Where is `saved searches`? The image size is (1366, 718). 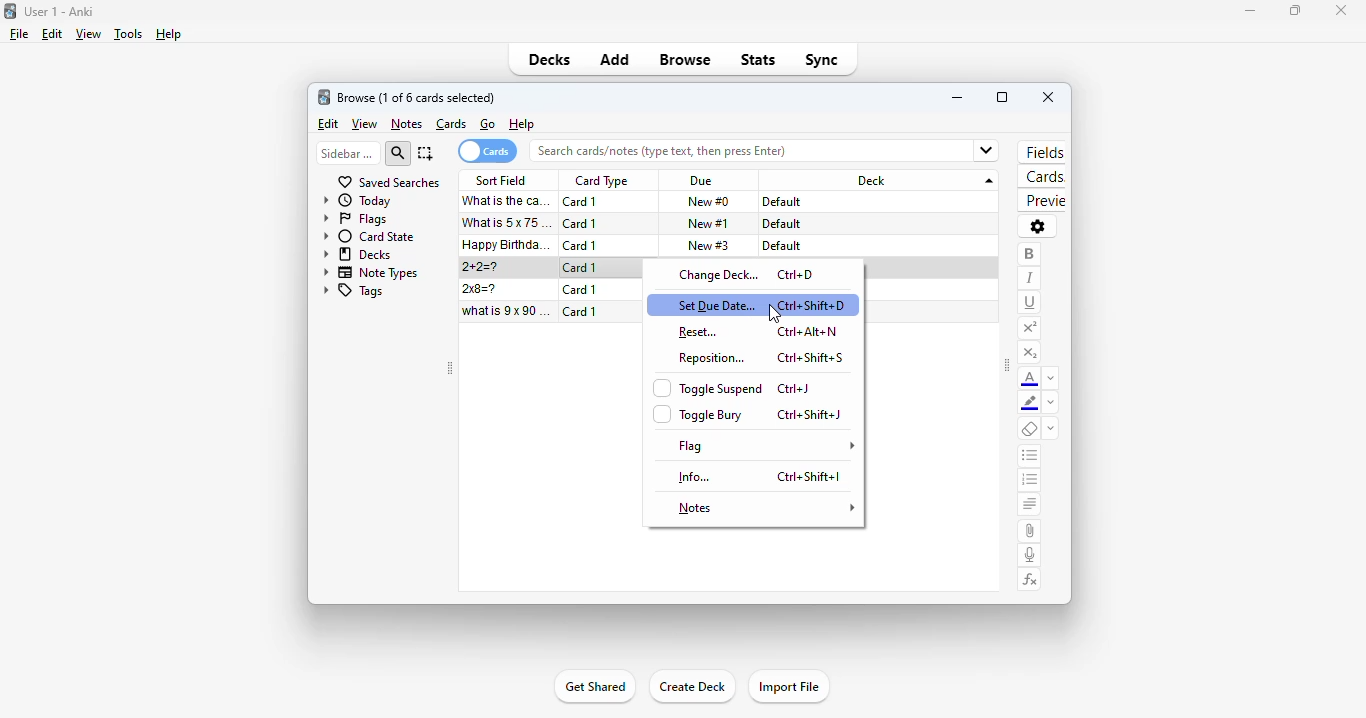 saved searches is located at coordinates (388, 182).